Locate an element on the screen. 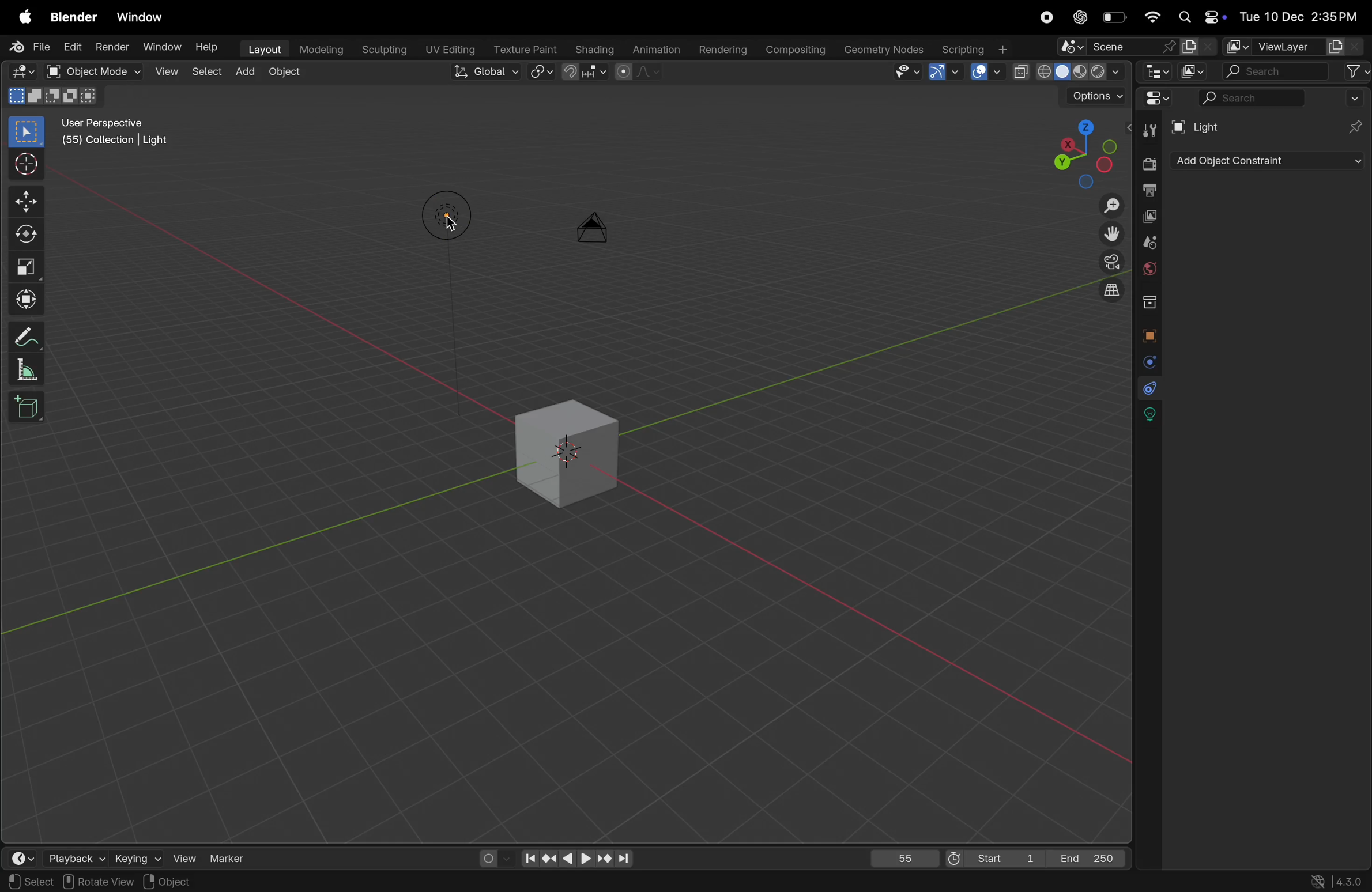 This screenshot has height=892, width=1372. viewpoint is located at coordinates (1075, 152).